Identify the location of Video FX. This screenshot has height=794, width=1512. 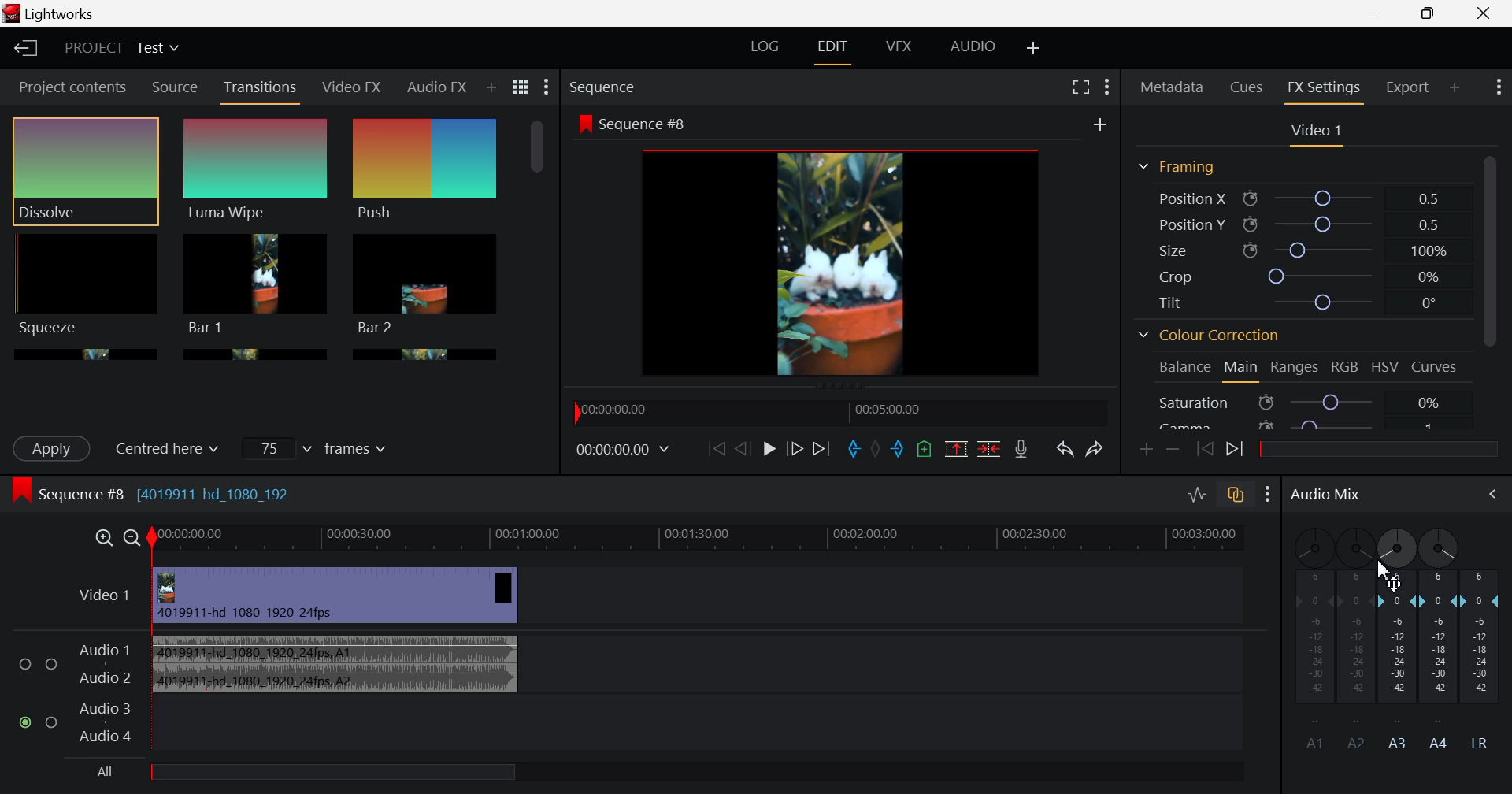
(350, 89).